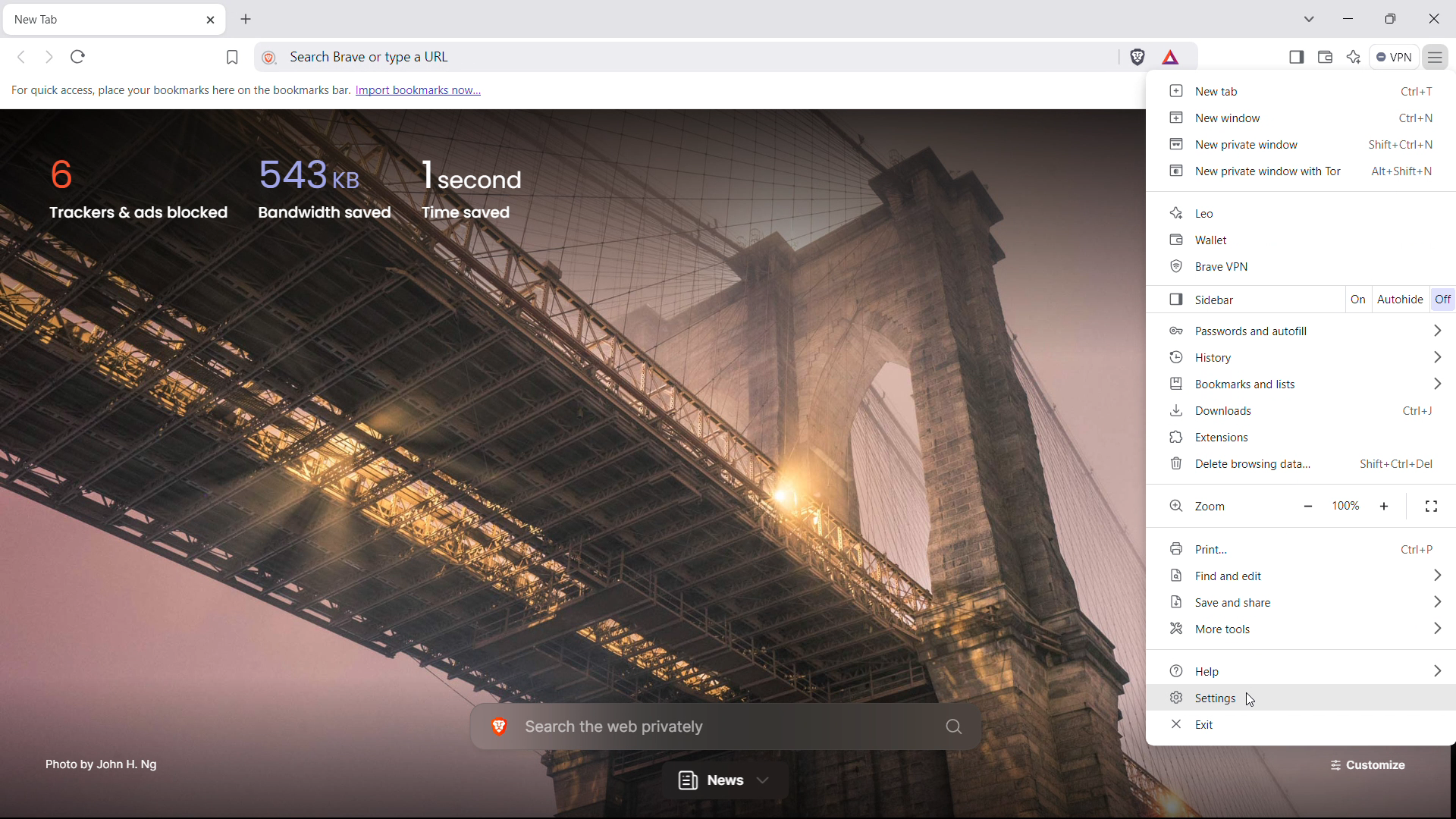  I want to click on print, so click(1301, 548).